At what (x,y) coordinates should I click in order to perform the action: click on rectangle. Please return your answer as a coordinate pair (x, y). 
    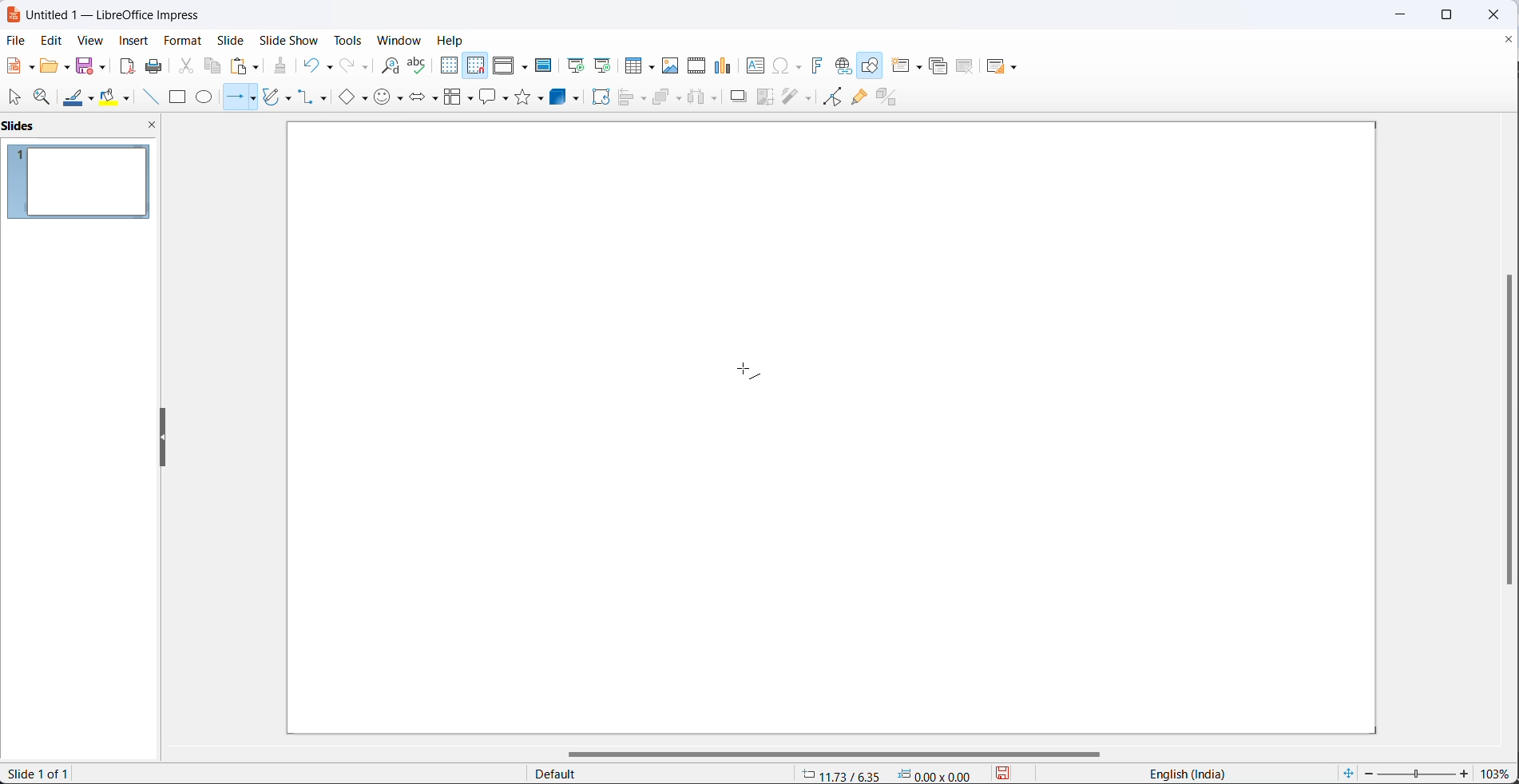
    Looking at the image, I should click on (176, 97).